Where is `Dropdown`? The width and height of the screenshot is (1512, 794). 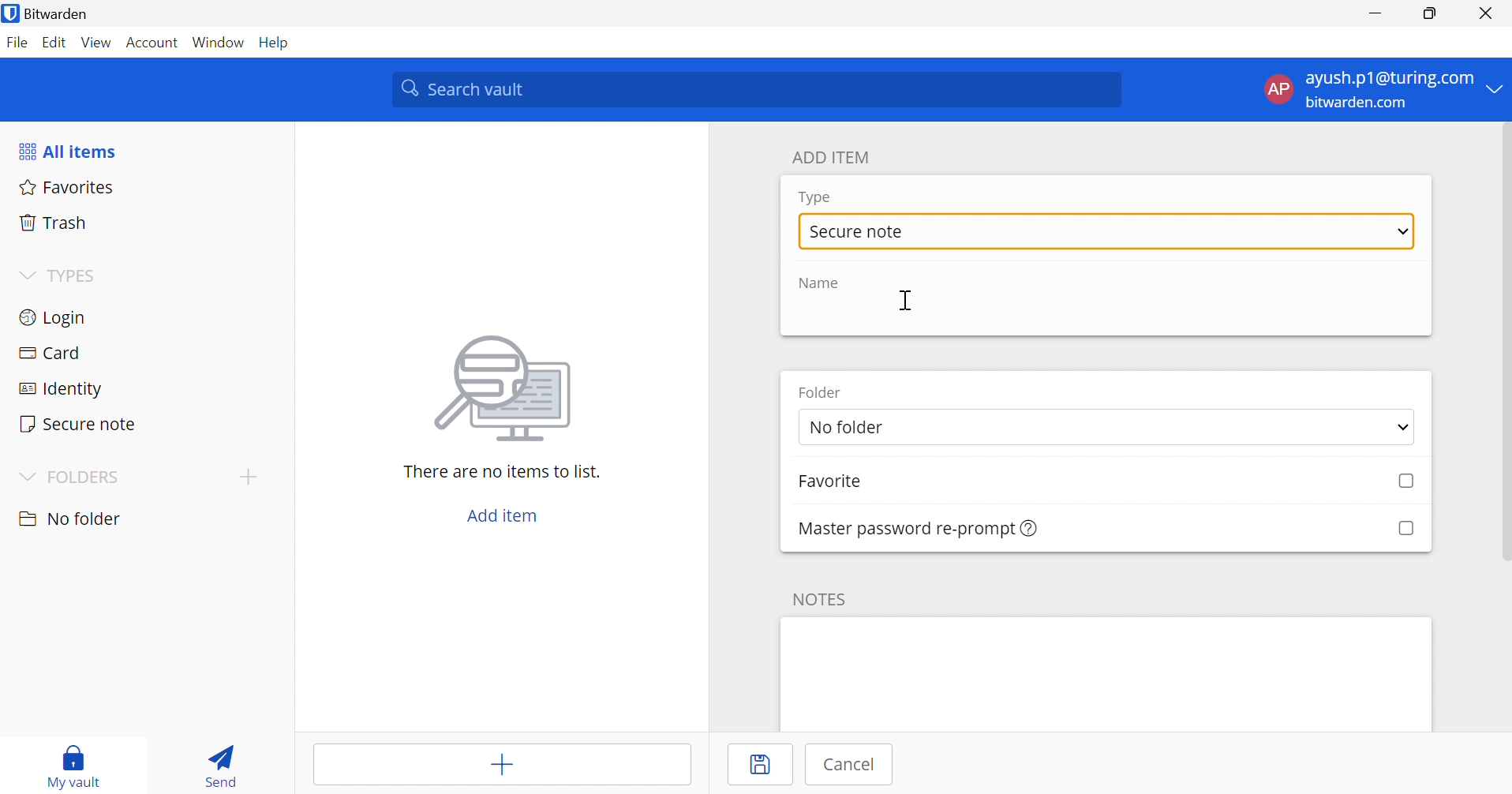 Dropdown is located at coordinates (24, 275).